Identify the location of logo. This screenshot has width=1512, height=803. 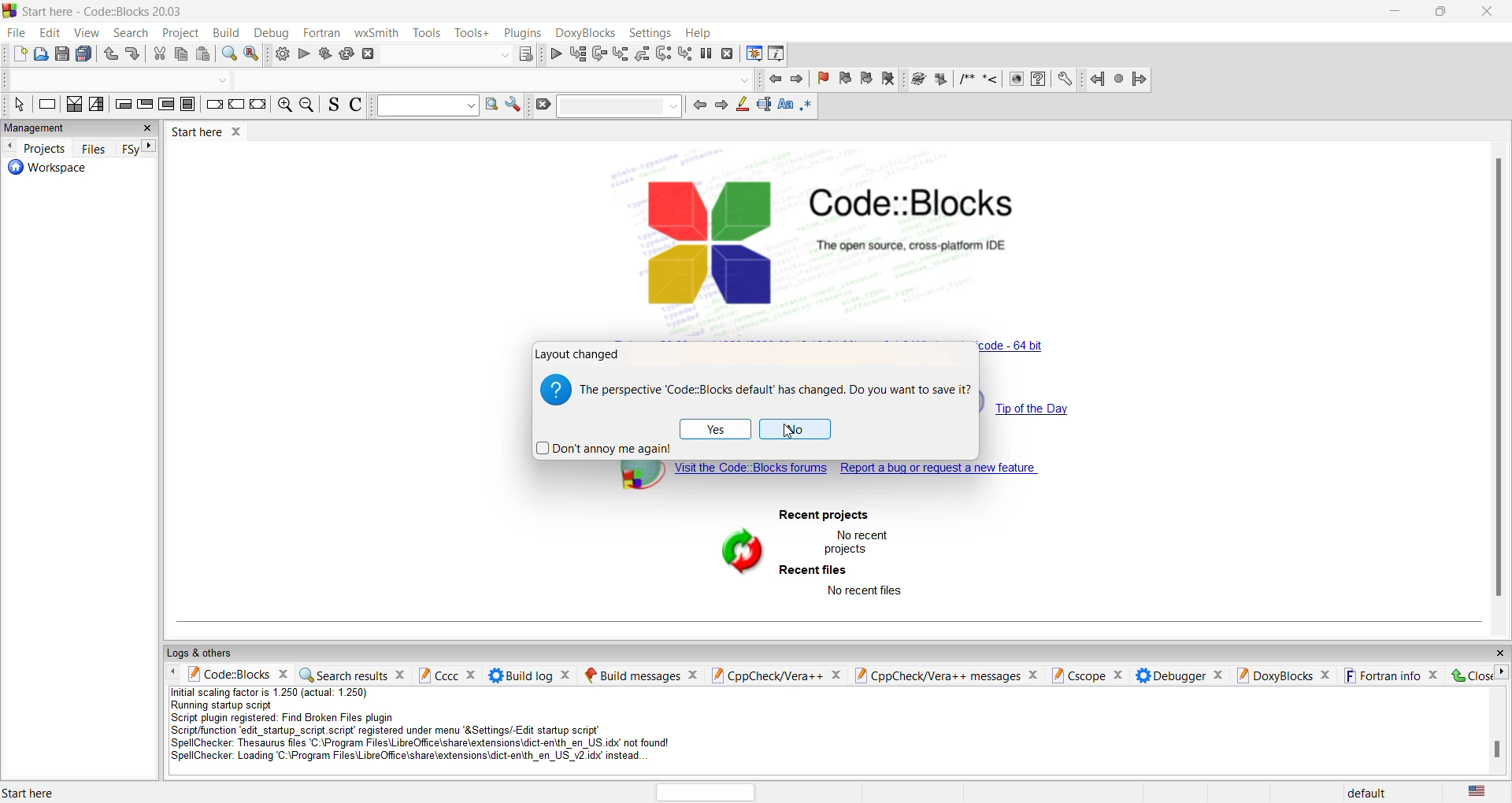
(552, 396).